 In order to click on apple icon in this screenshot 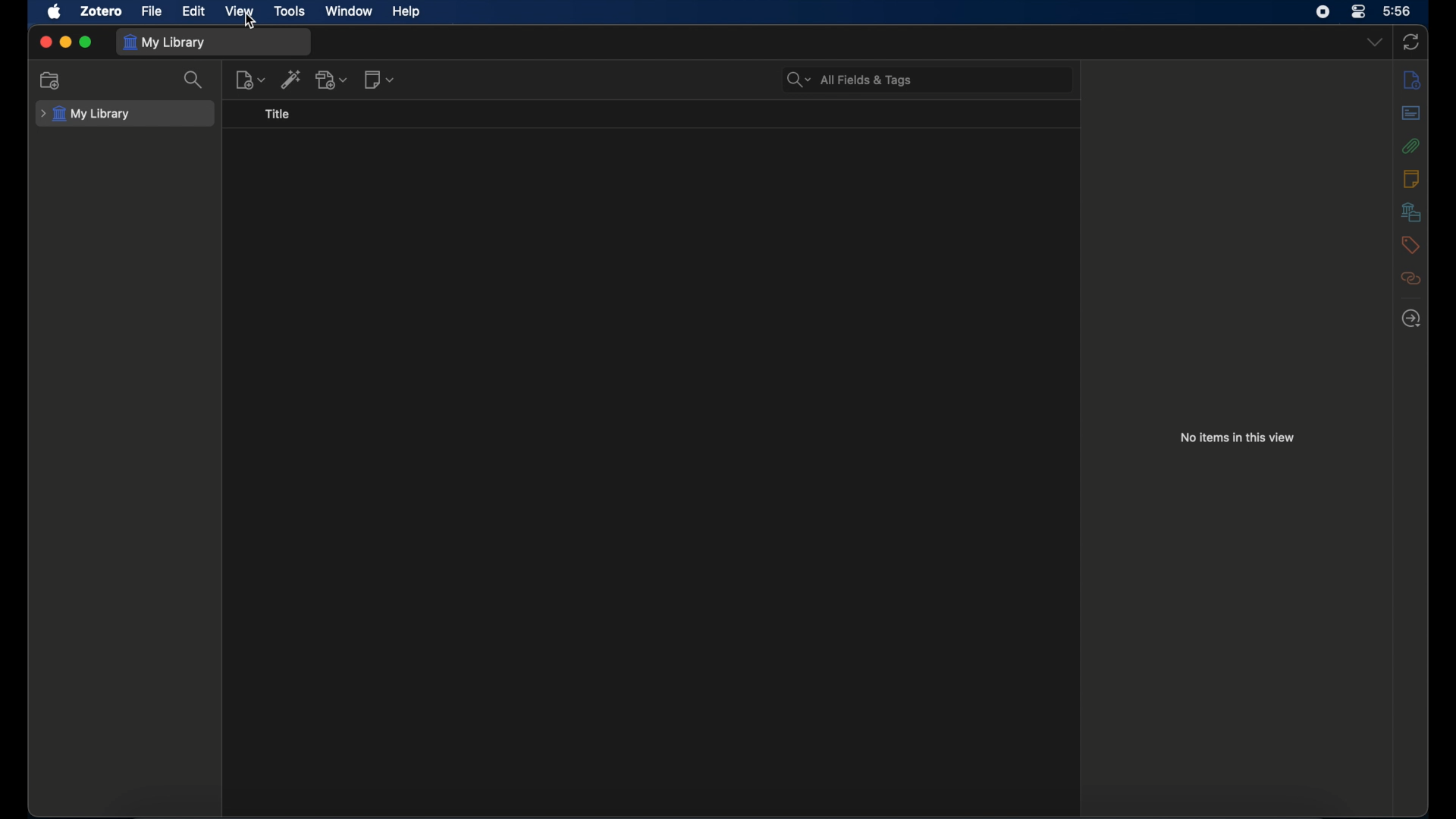, I will do `click(54, 11)`.